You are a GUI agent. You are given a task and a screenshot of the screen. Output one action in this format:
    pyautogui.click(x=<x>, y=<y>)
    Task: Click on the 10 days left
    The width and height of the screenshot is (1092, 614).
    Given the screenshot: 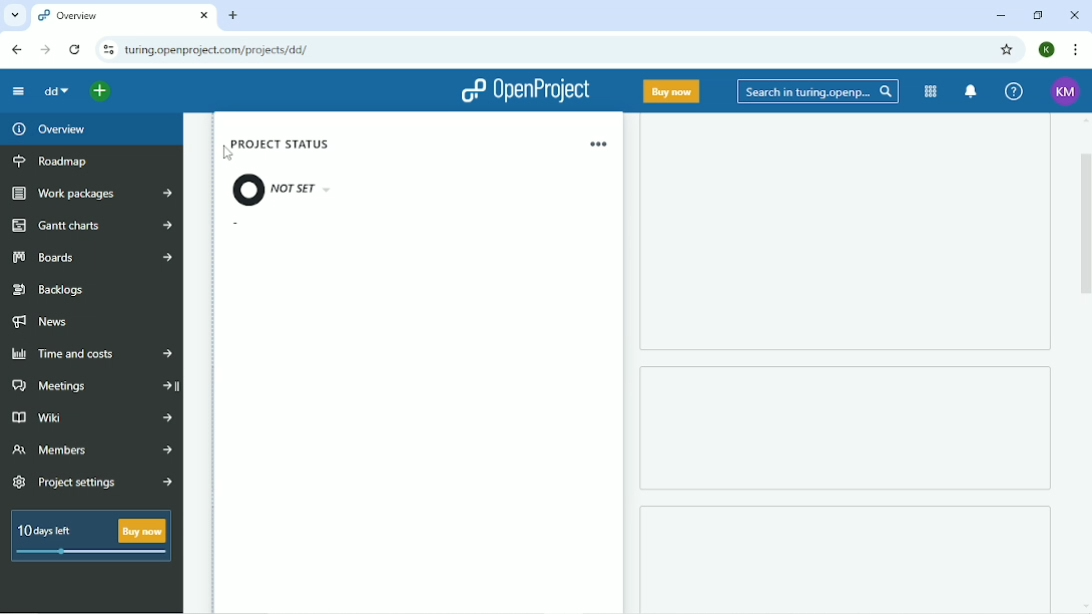 What is the action you would take?
    pyautogui.click(x=89, y=538)
    